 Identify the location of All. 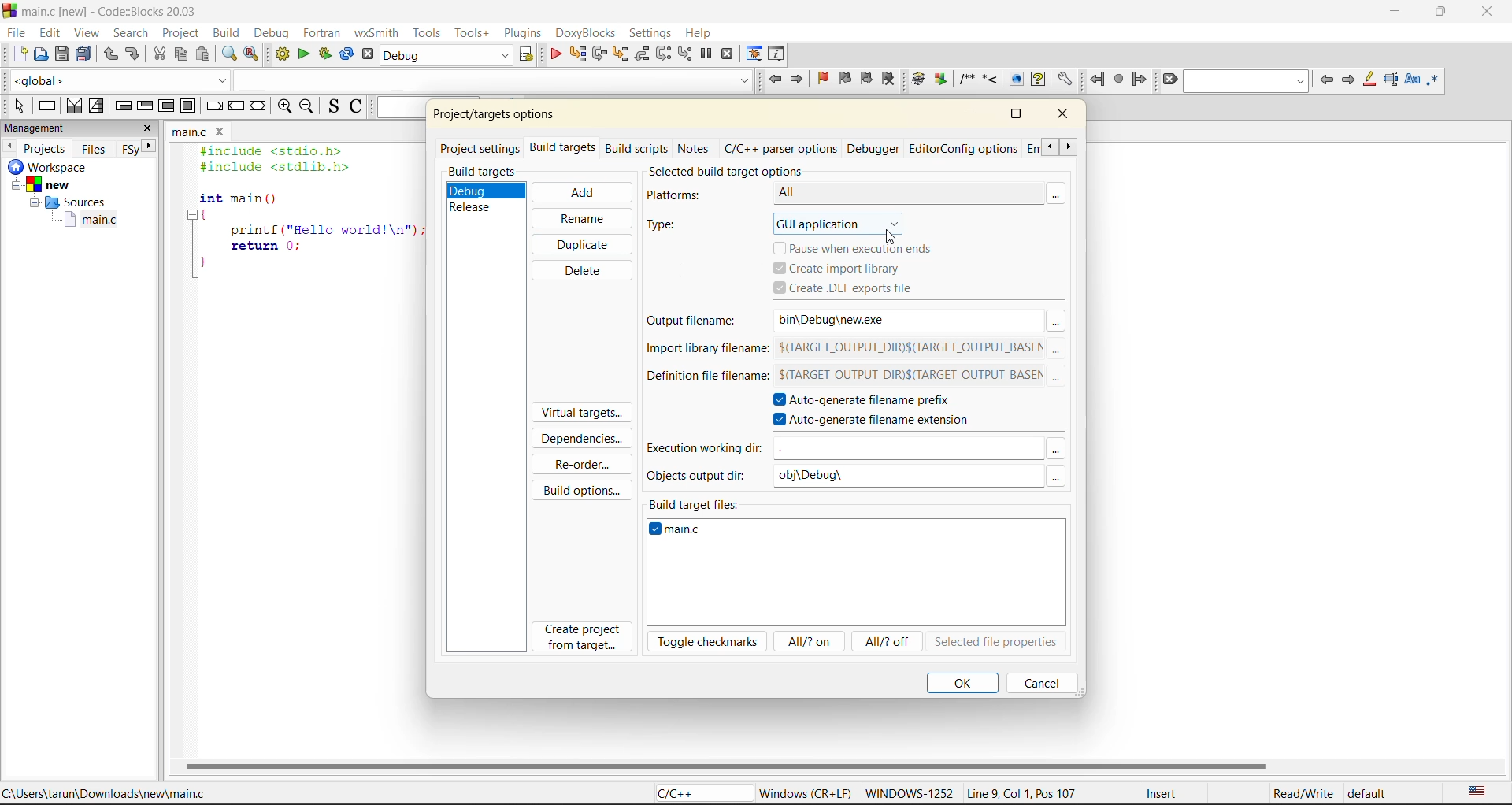
(888, 192).